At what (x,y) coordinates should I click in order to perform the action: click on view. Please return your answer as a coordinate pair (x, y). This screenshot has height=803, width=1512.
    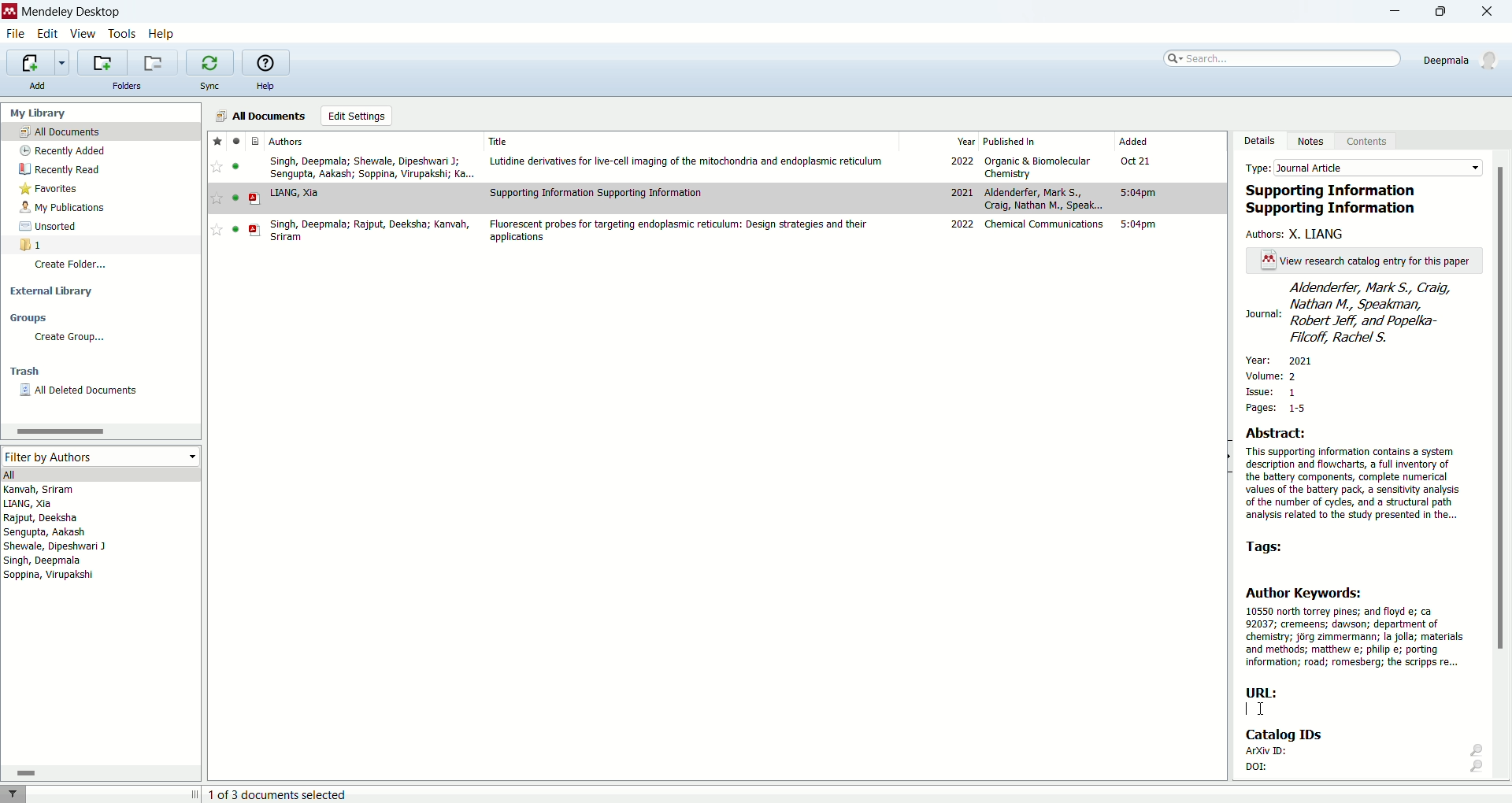
    Looking at the image, I should click on (83, 33).